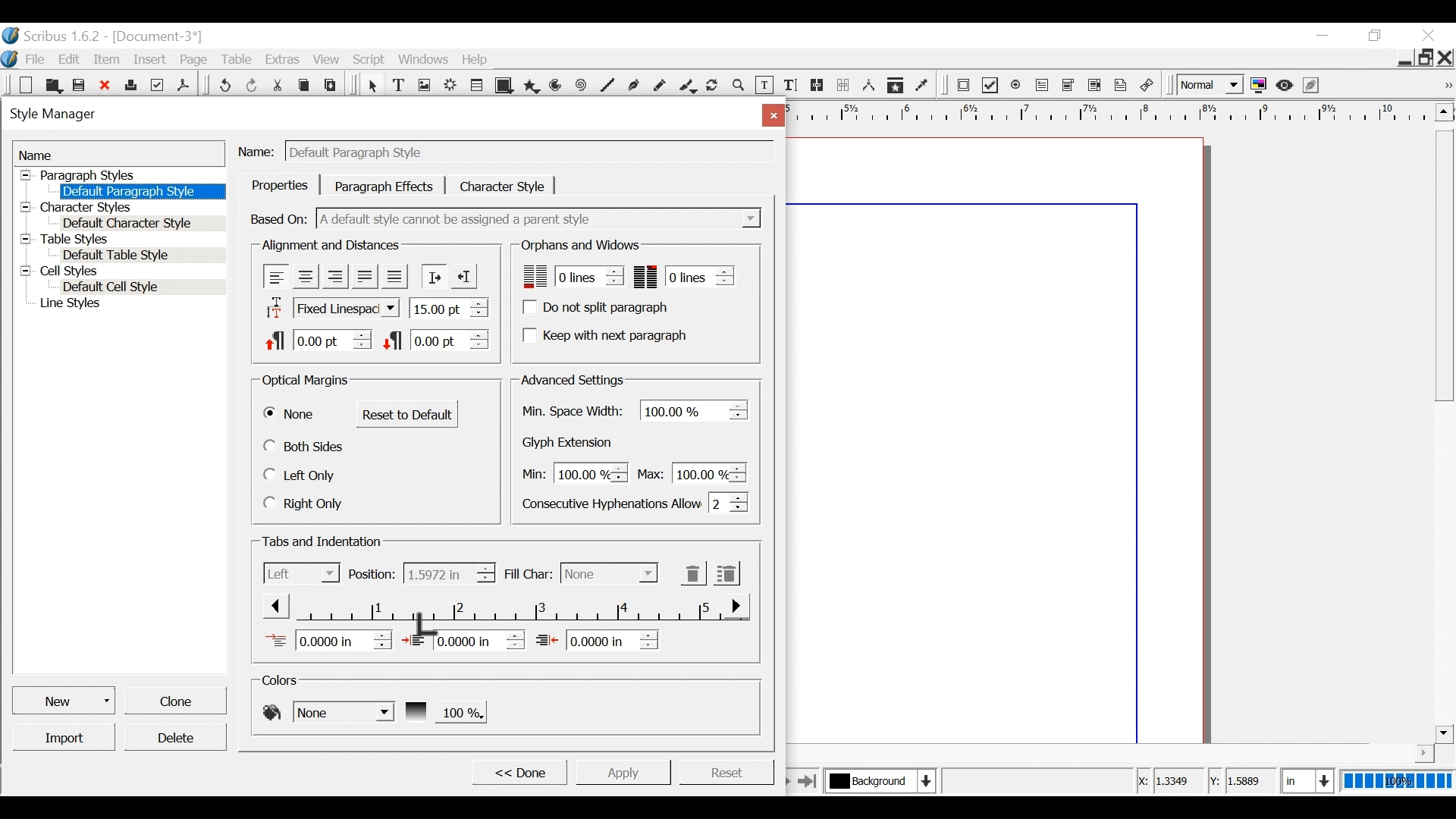  What do you see at coordinates (71, 59) in the screenshot?
I see `Edit` at bounding box center [71, 59].